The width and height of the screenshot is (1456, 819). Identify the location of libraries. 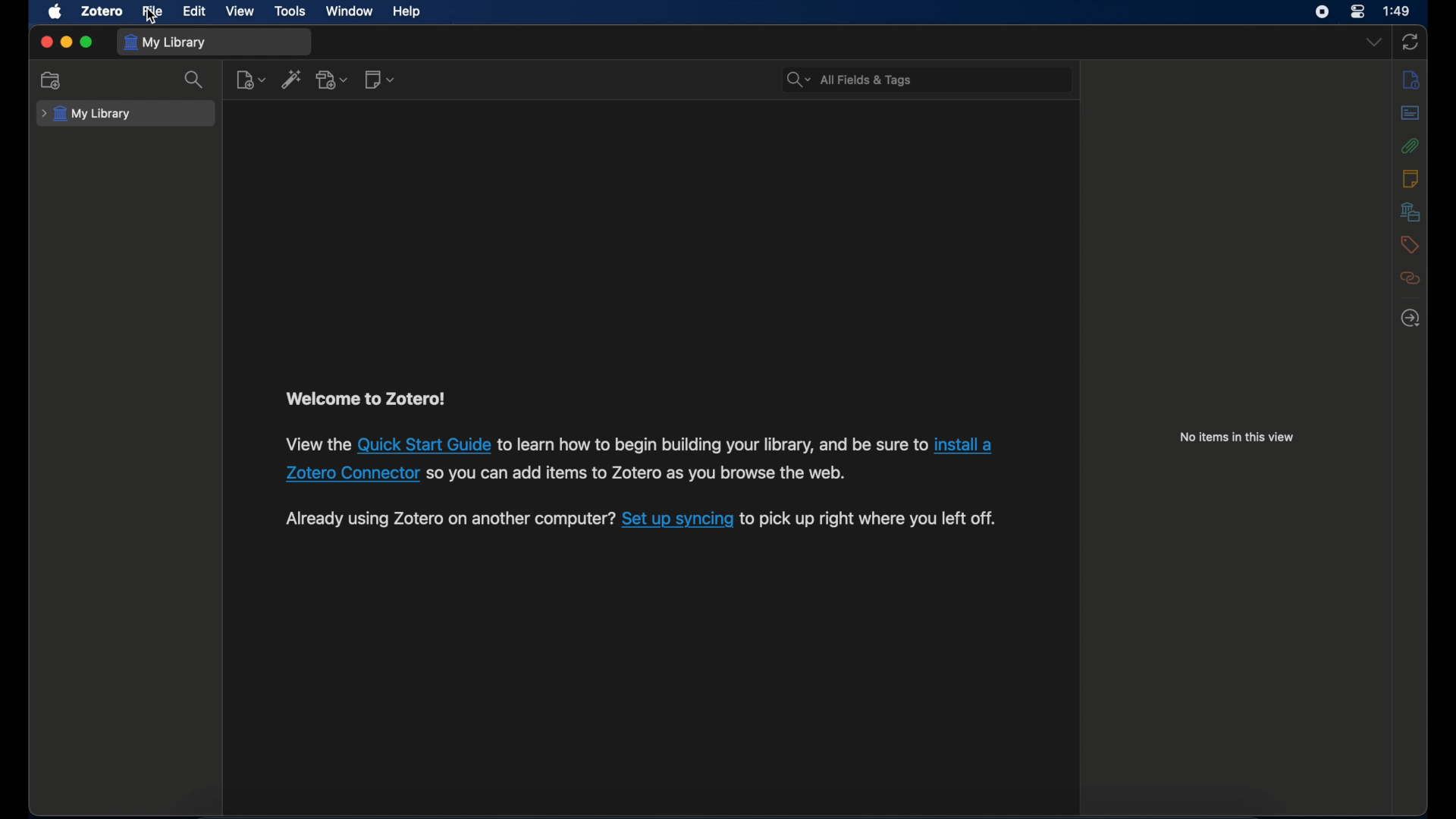
(1410, 212).